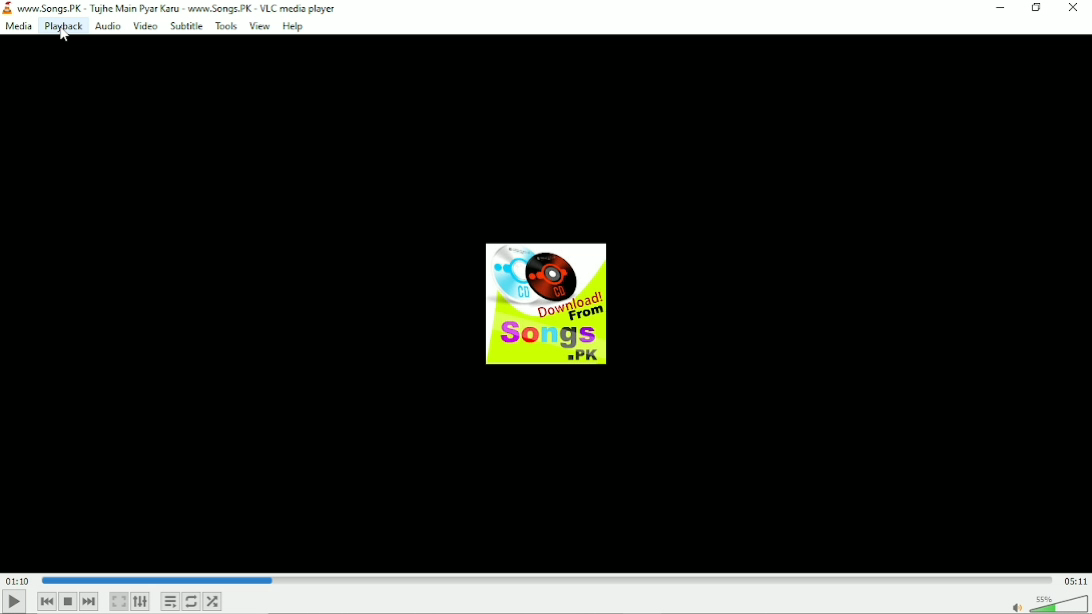 The height and width of the screenshot is (614, 1092). What do you see at coordinates (226, 26) in the screenshot?
I see `Tools` at bounding box center [226, 26].